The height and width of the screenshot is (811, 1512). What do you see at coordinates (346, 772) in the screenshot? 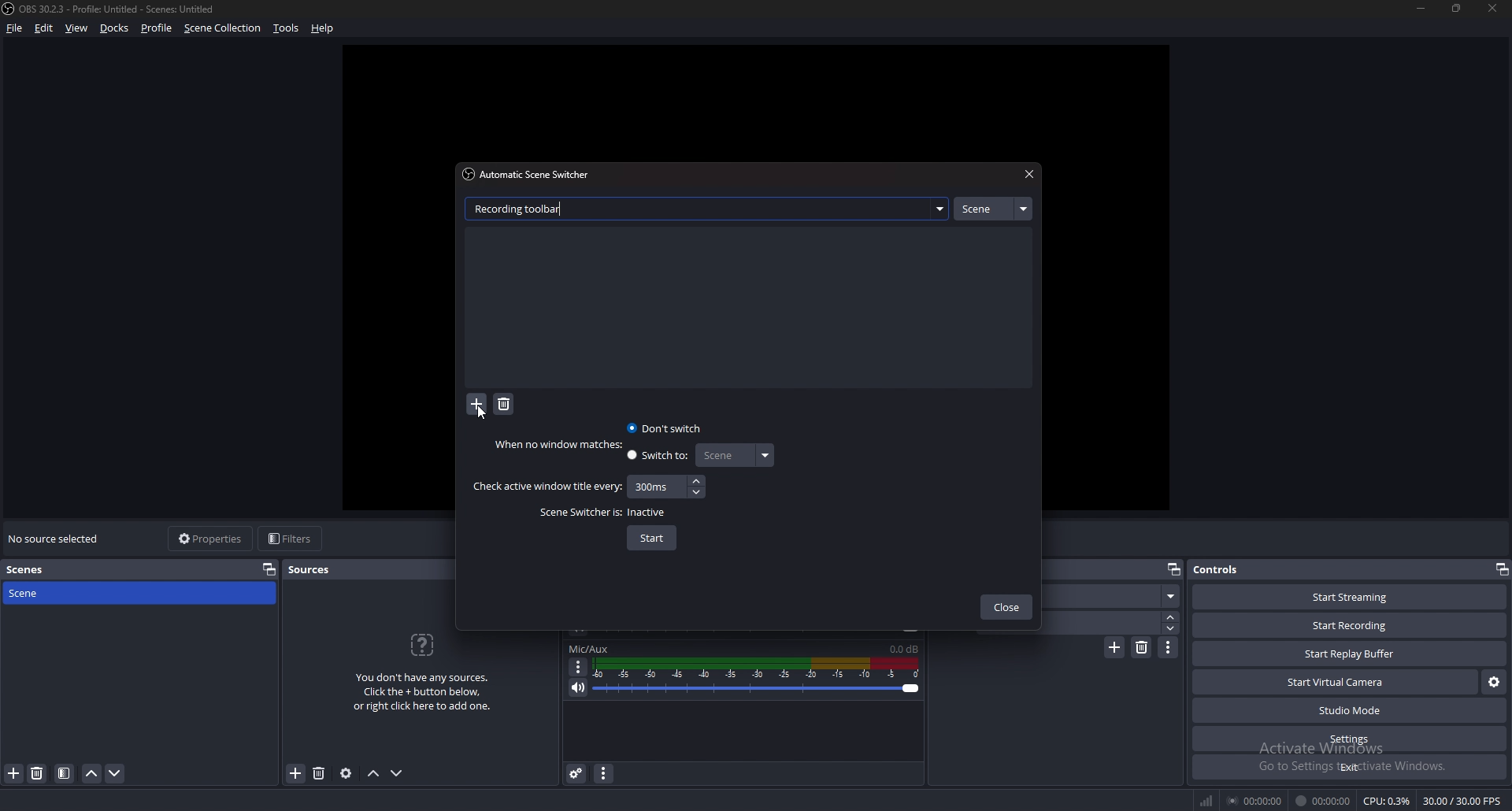
I see `source properties` at bounding box center [346, 772].